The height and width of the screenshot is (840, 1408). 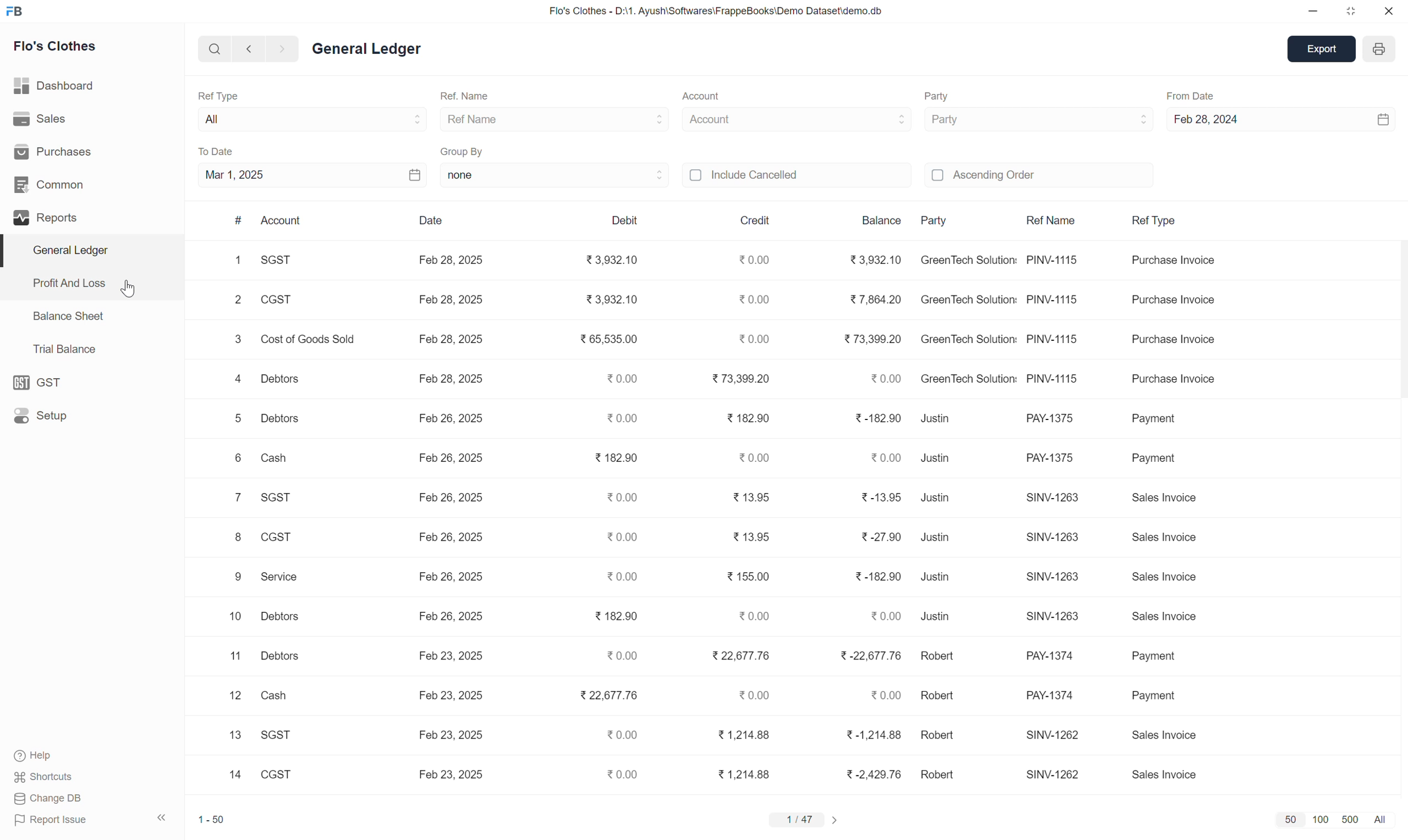 I want to click on Feb 28, 2025, so click(x=454, y=259).